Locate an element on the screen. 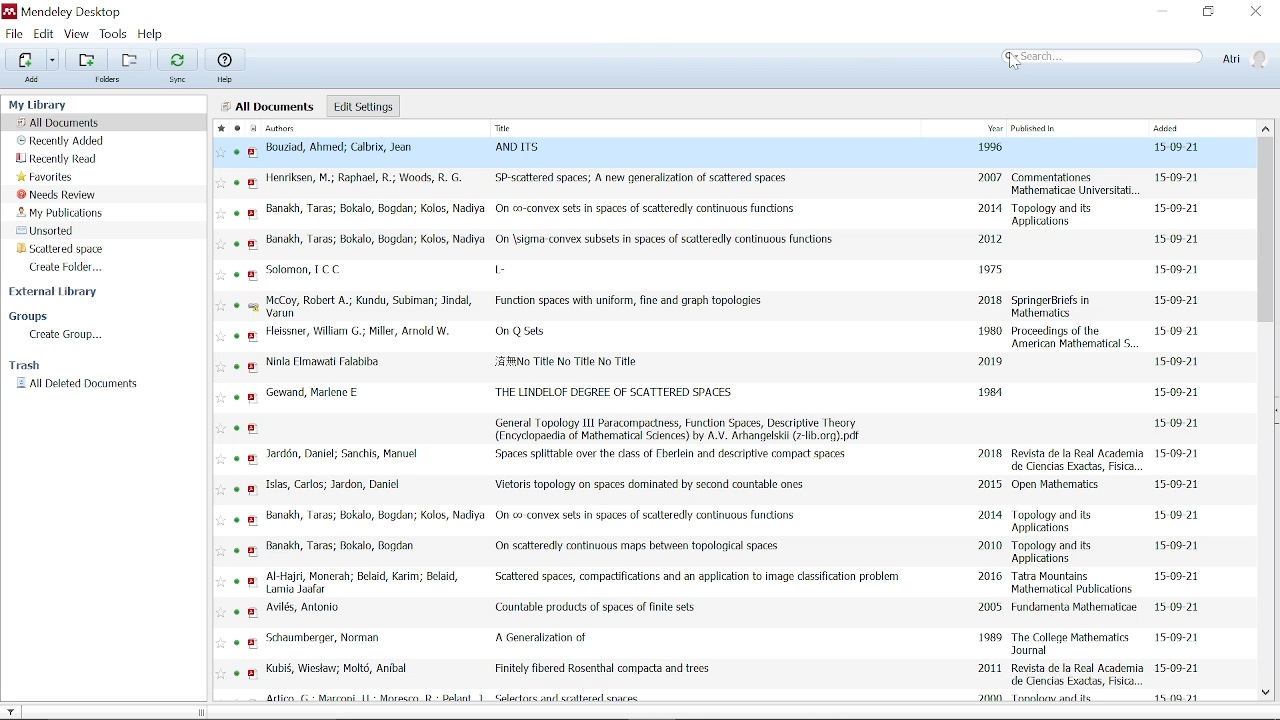 Image resolution: width=1280 pixels, height=720 pixels. Add to favorite is located at coordinates (222, 214).